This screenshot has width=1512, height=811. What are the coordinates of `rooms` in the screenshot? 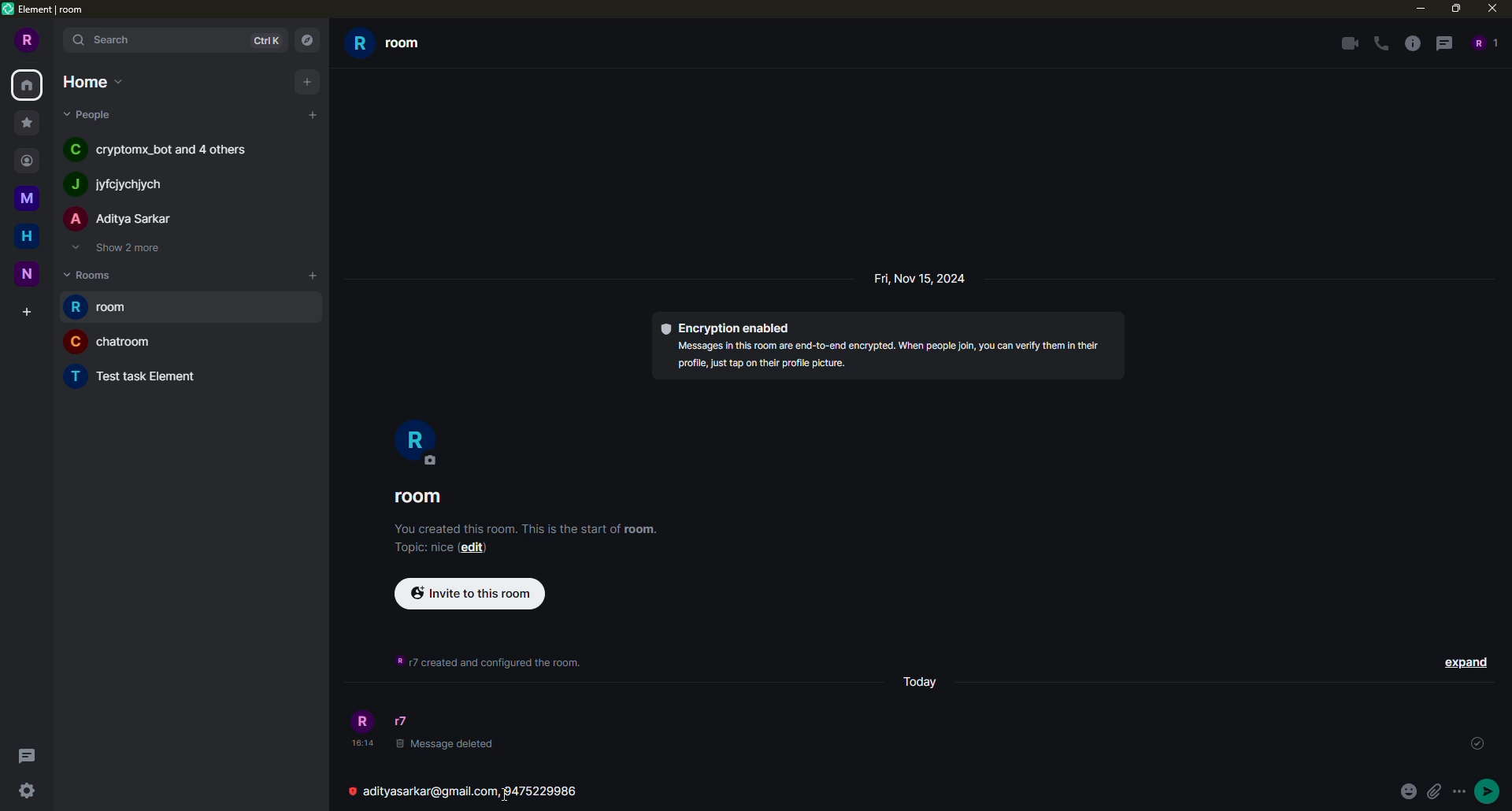 It's located at (91, 274).